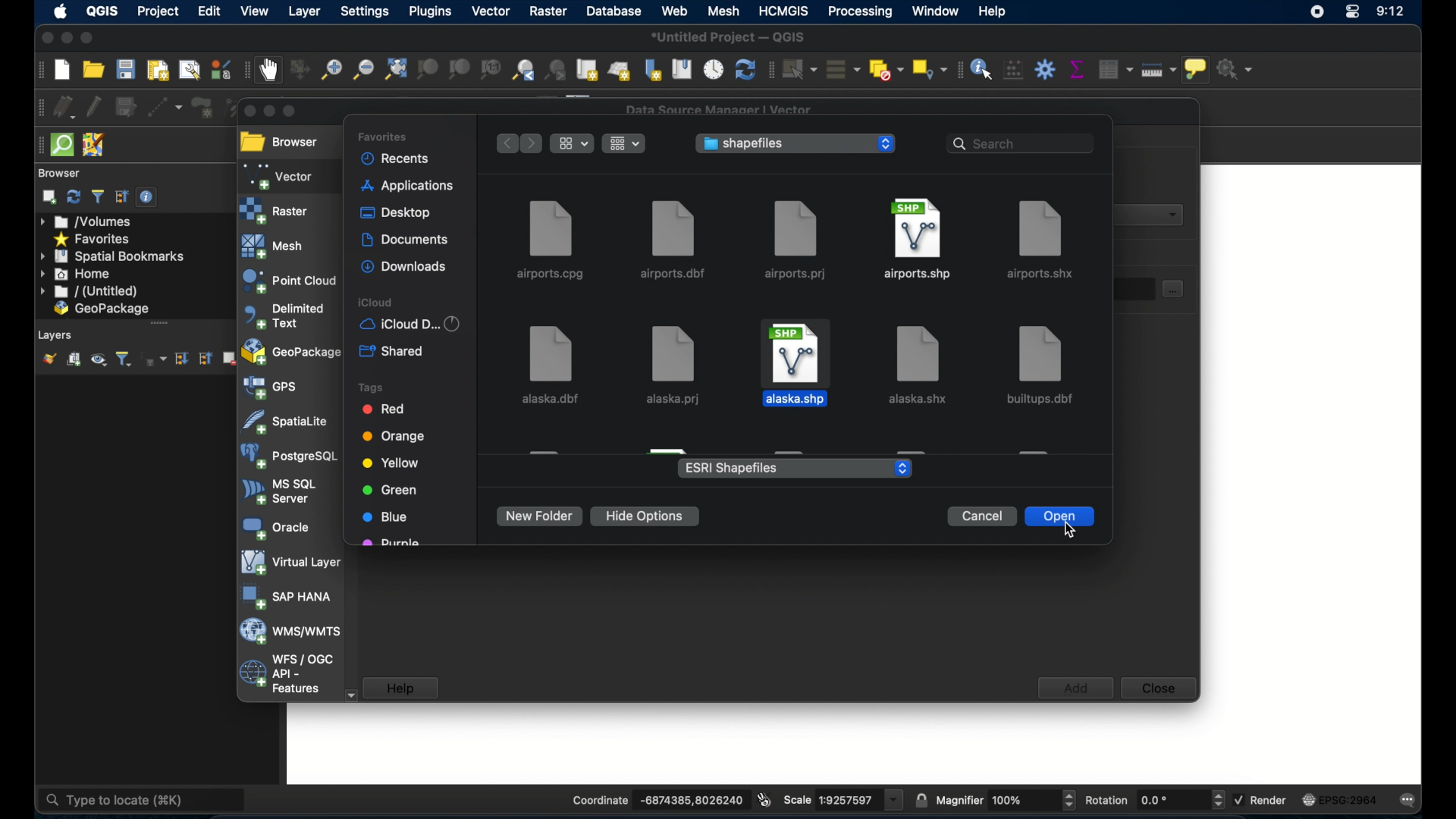  What do you see at coordinates (998, 12) in the screenshot?
I see `help` at bounding box center [998, 12].